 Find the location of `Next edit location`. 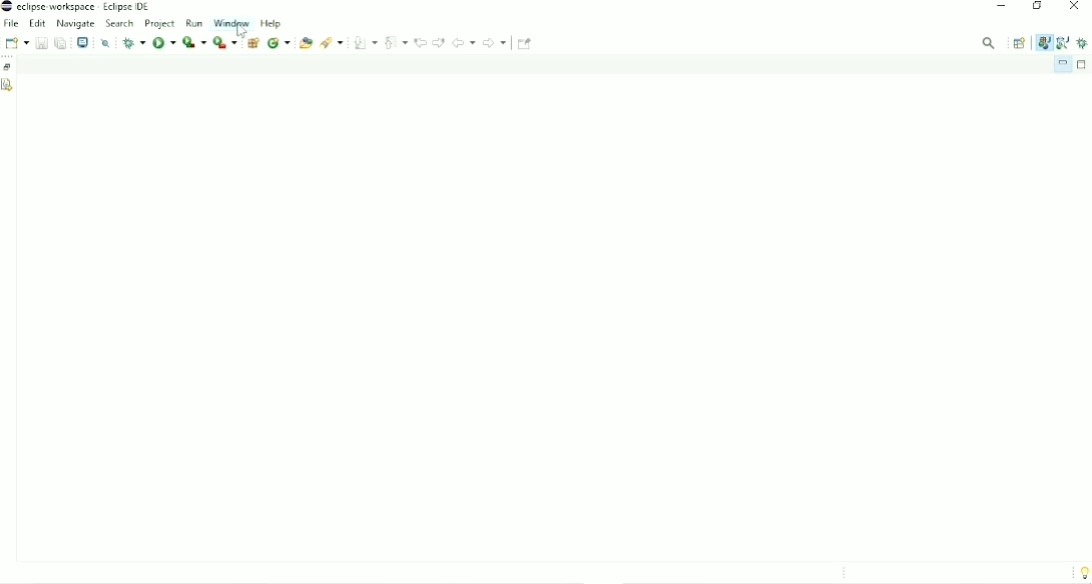

Next edit location is located at coordinates (438, 42).